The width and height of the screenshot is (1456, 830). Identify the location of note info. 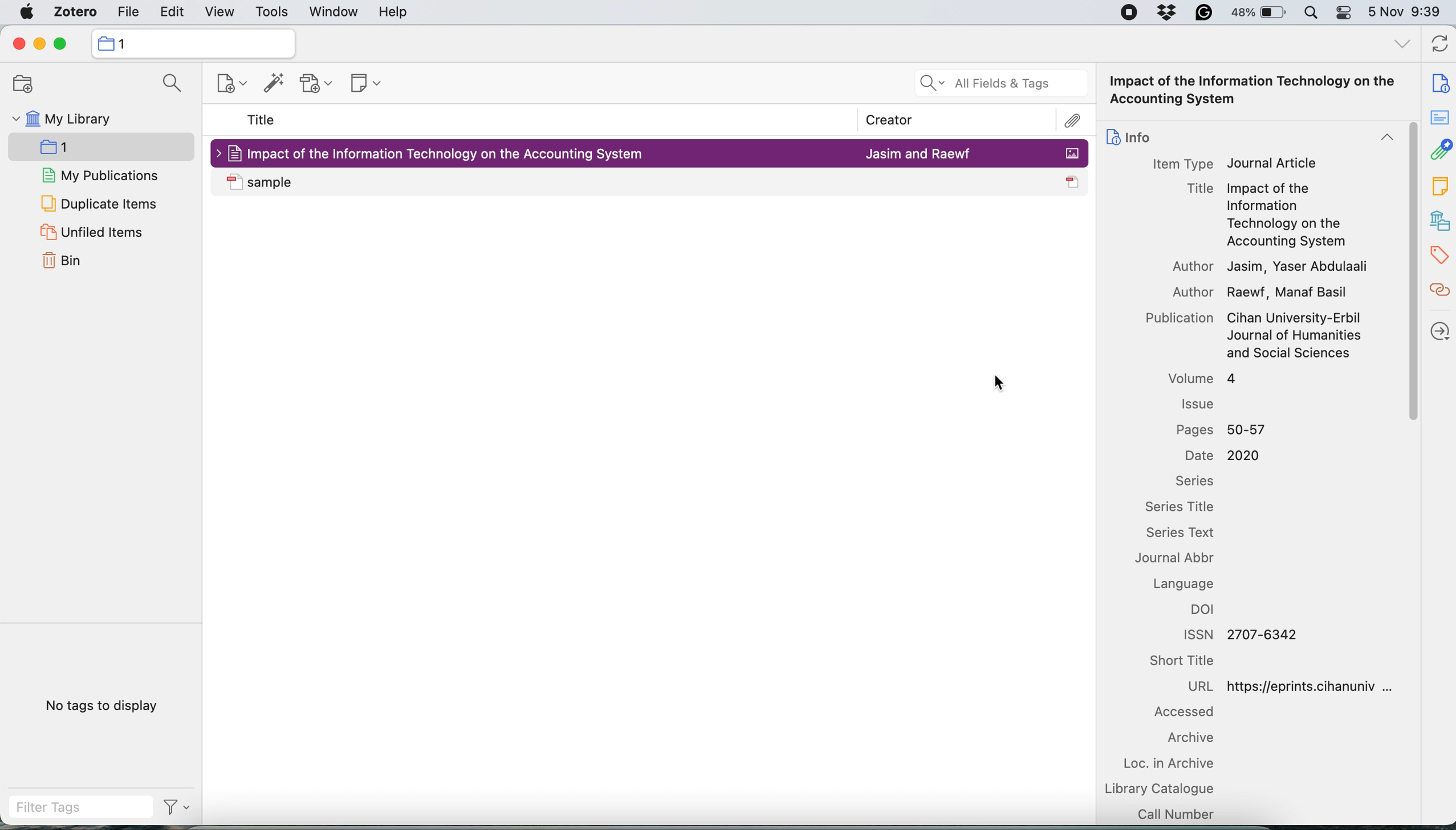
(1441, 82).